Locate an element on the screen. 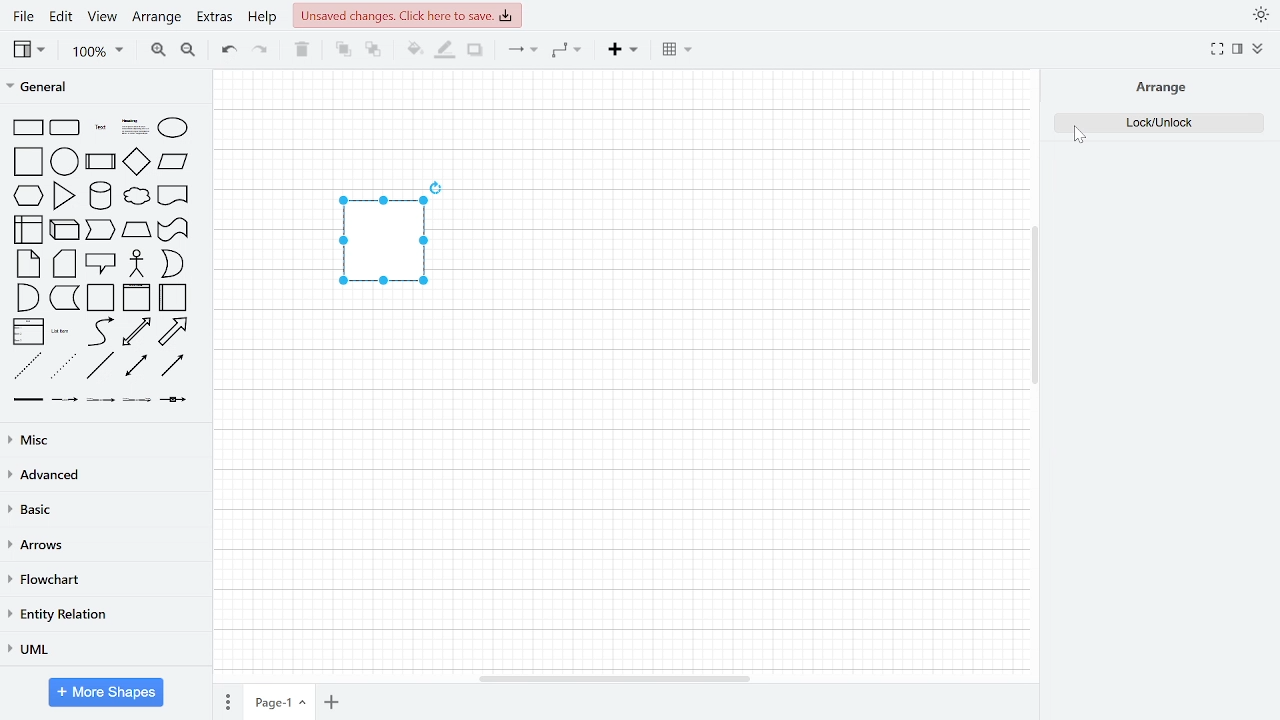 This screenshot has width=1280, height=720. ellipse is located at coordinates (174, 127).